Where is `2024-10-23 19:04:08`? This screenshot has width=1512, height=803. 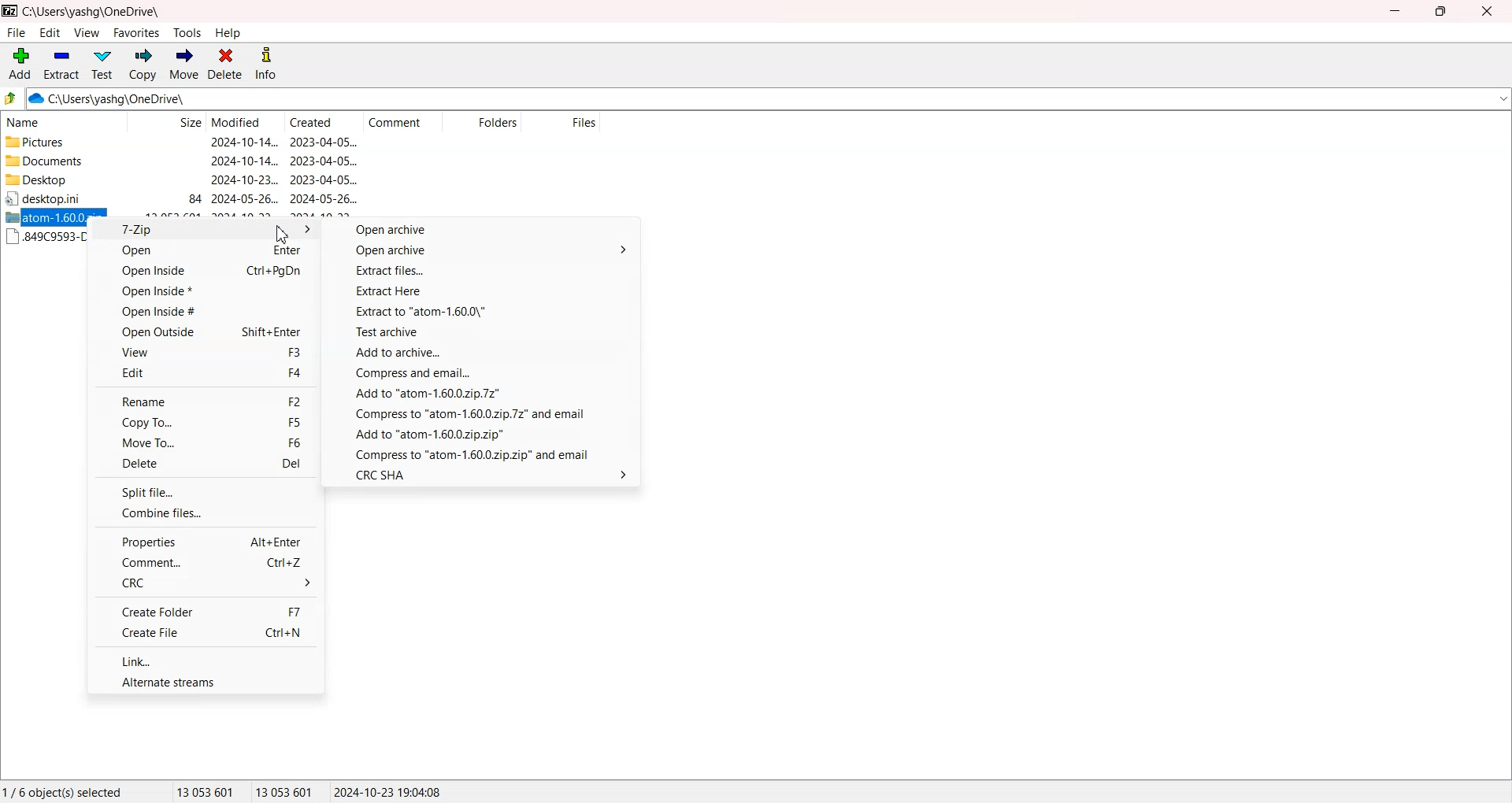
2024-10-23 19:04:08 is located at coordinates (389, 791).